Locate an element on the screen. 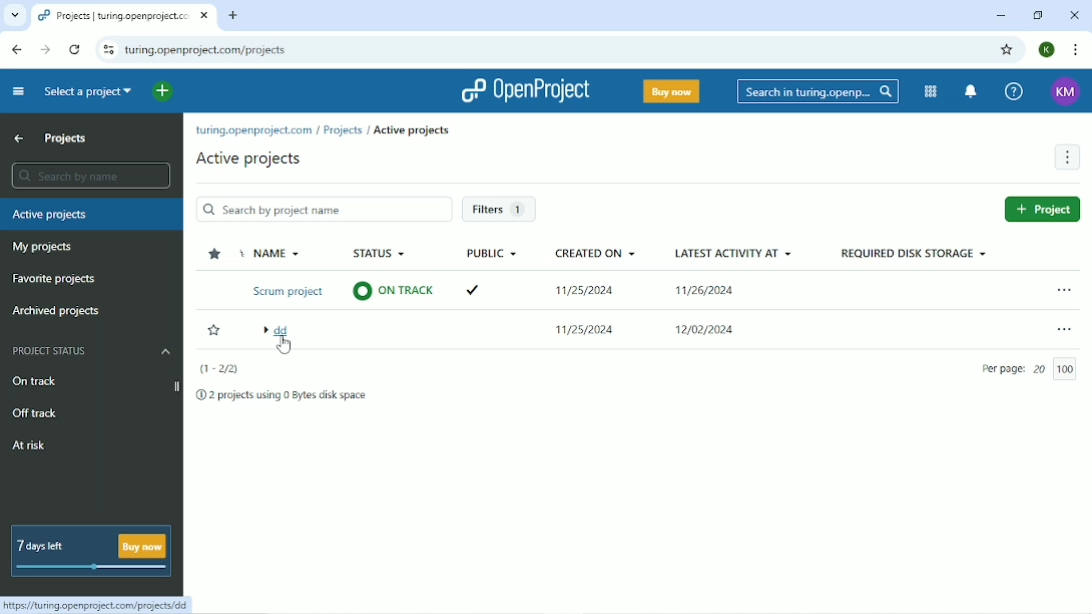 The width and height of the screenshot is (1092, 614). Latest activity at is located at coordinates (731, 293).